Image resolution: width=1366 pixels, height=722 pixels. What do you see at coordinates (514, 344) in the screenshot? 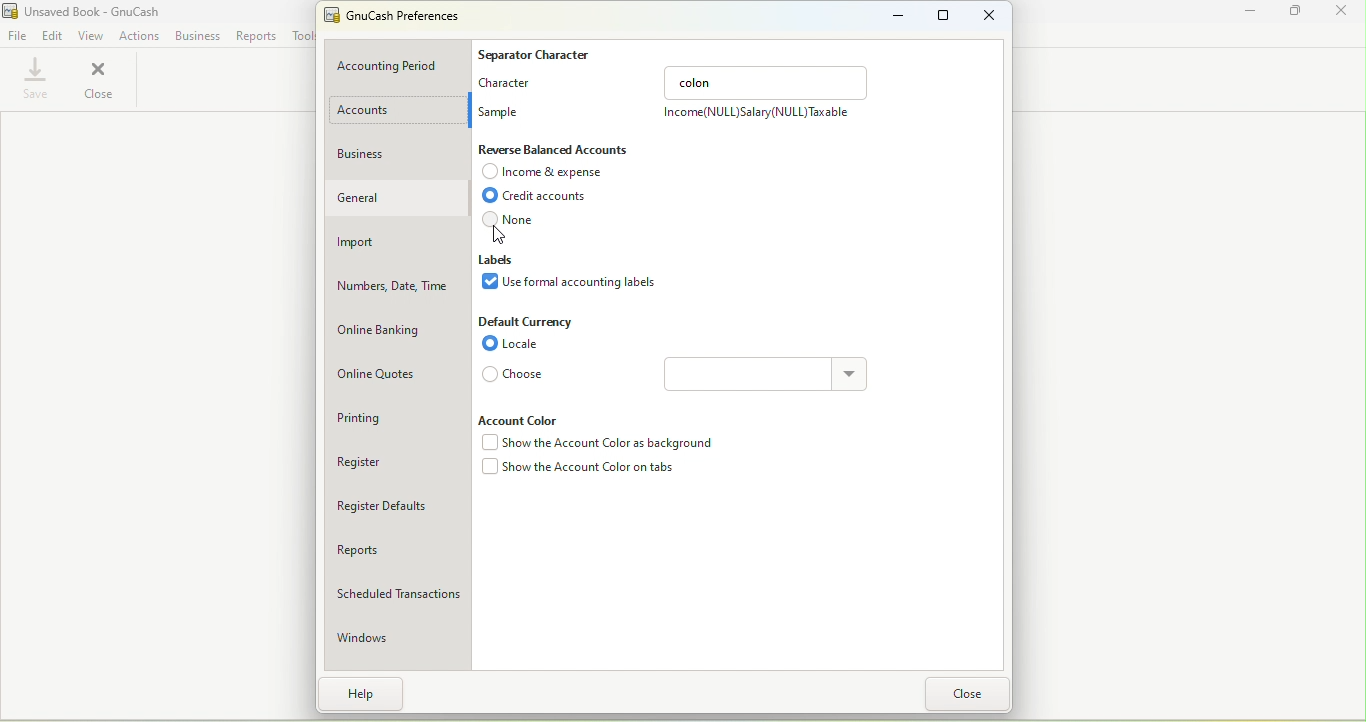
I see `Locale` at bounding box center [514, 344].